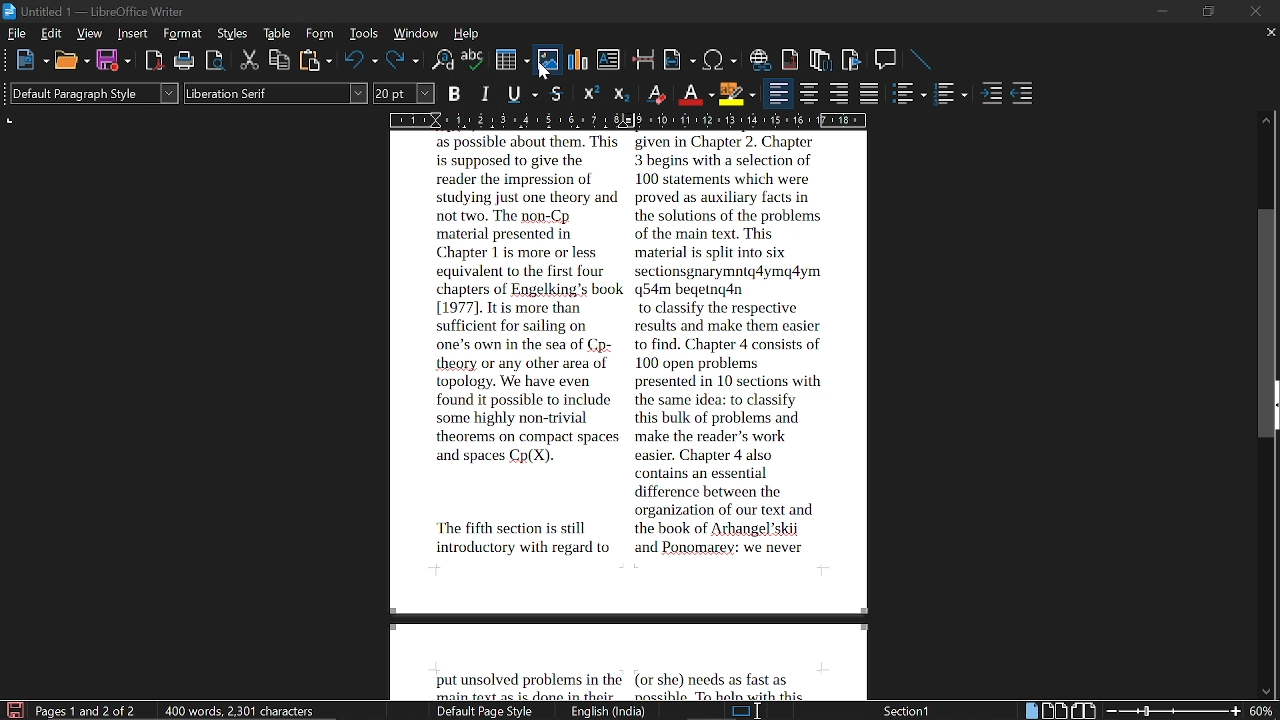 This screenshot has height=720, width=1280. What do you see at coordinates (545, 69) in the screenshot?
I see `cursor` at bounding box center [545, 69].